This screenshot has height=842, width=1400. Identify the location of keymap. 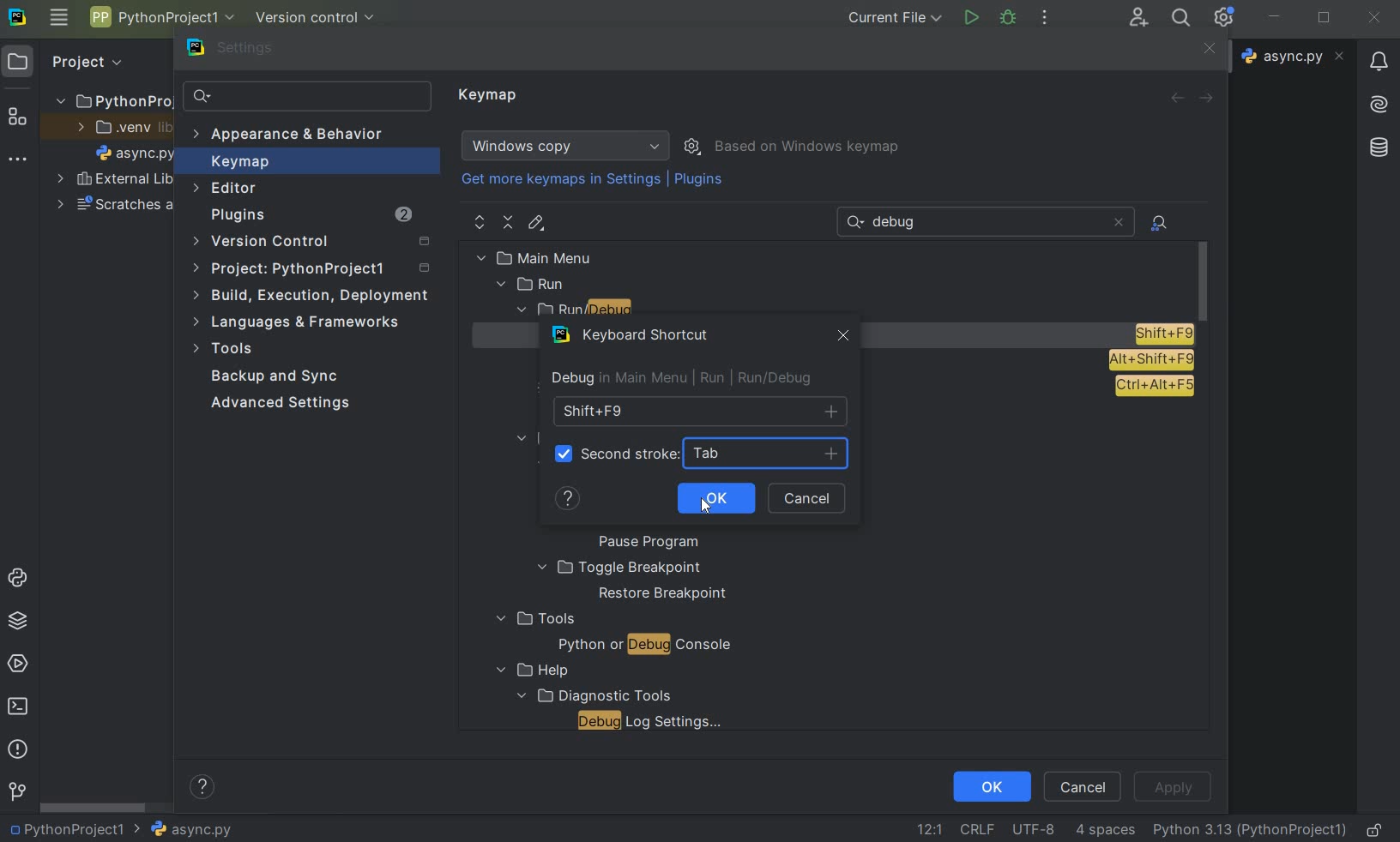
(238, 164).